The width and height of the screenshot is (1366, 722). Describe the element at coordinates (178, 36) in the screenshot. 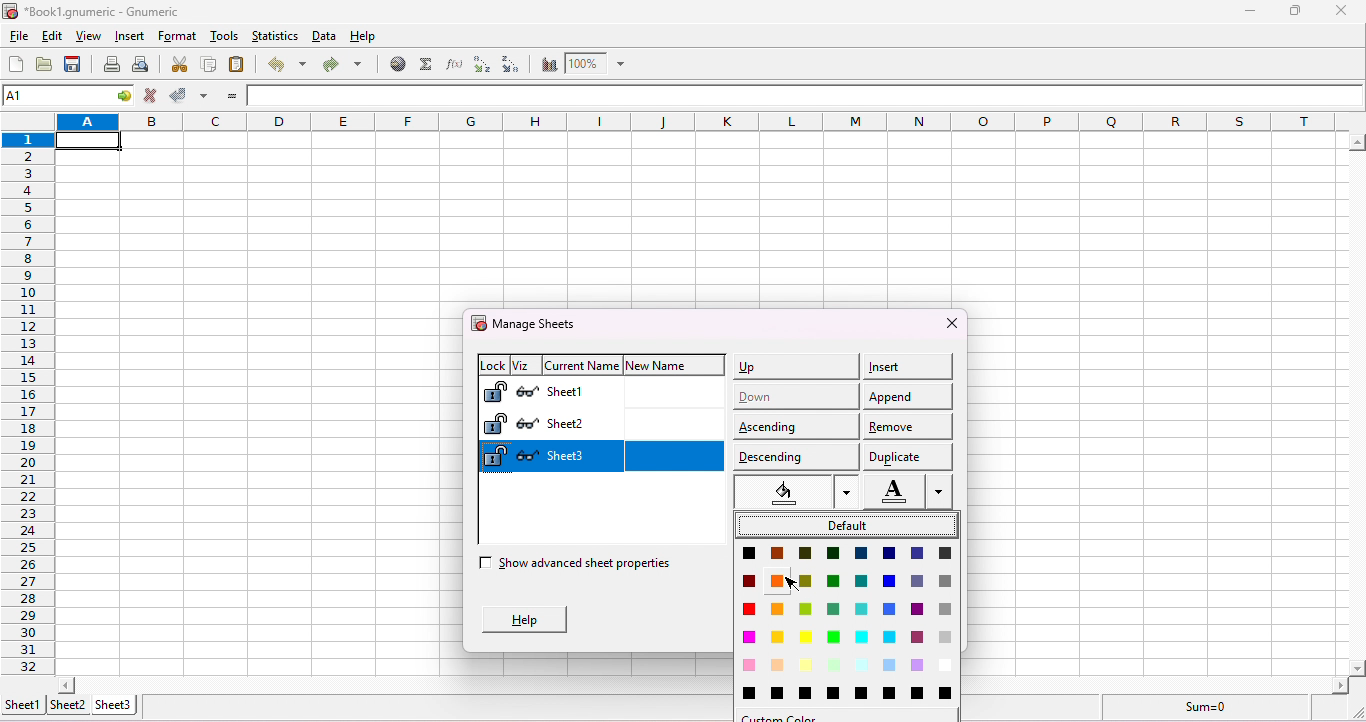

I see `format` at that location.